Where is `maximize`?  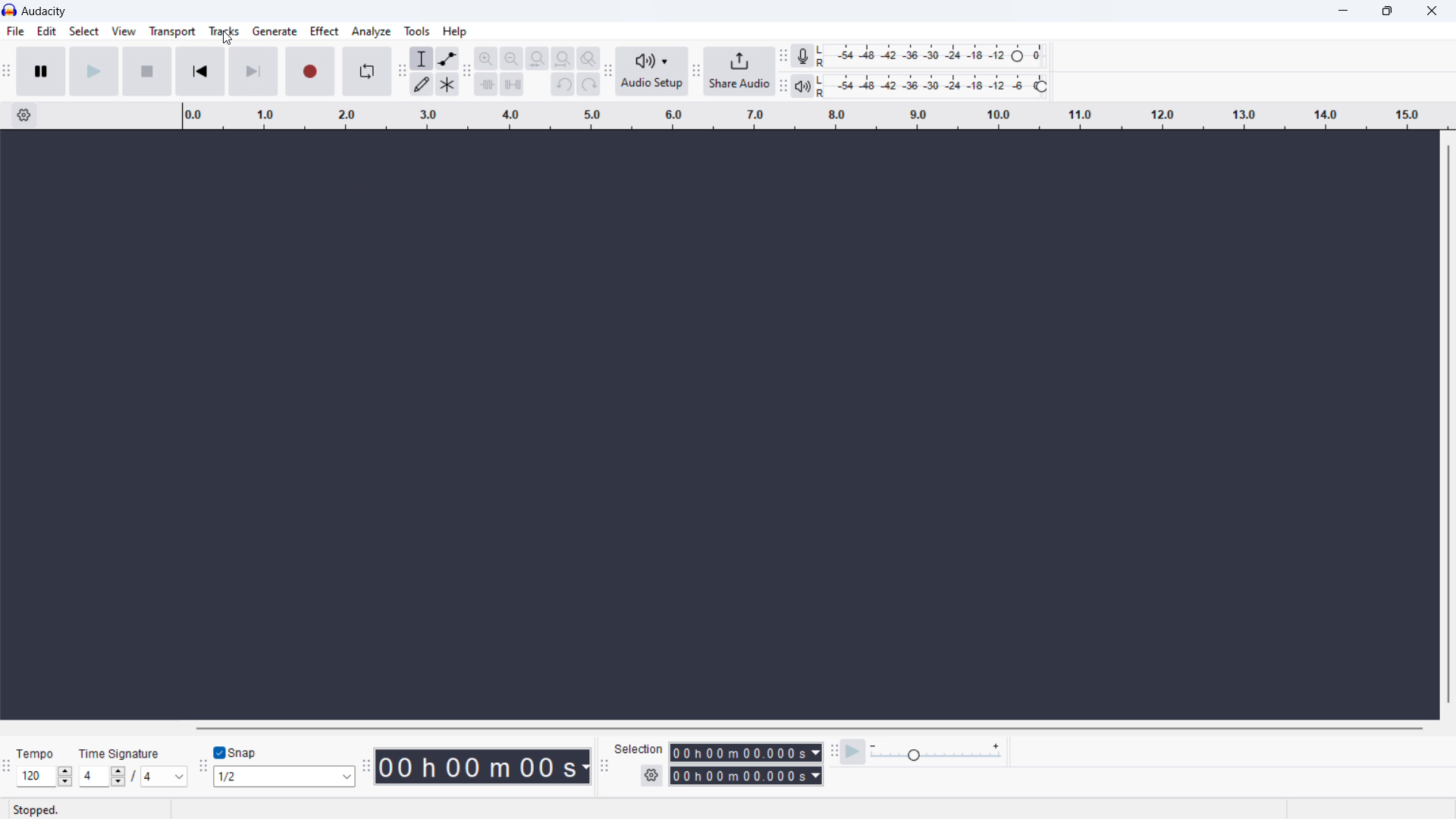
maximize is located at coordinates (1388, 11).